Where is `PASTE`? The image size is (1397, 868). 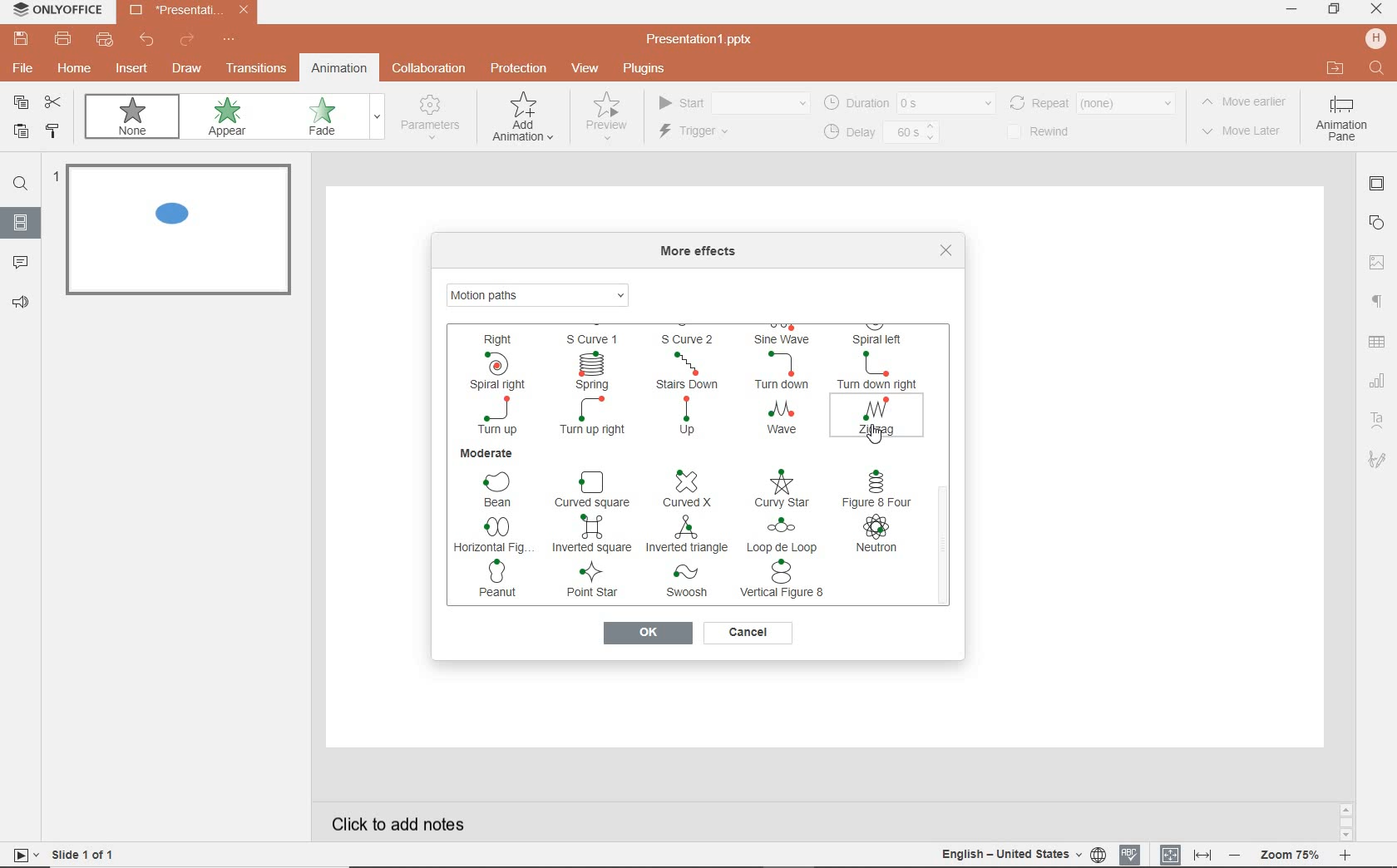 PASTE is located at coordinates (20, 133).